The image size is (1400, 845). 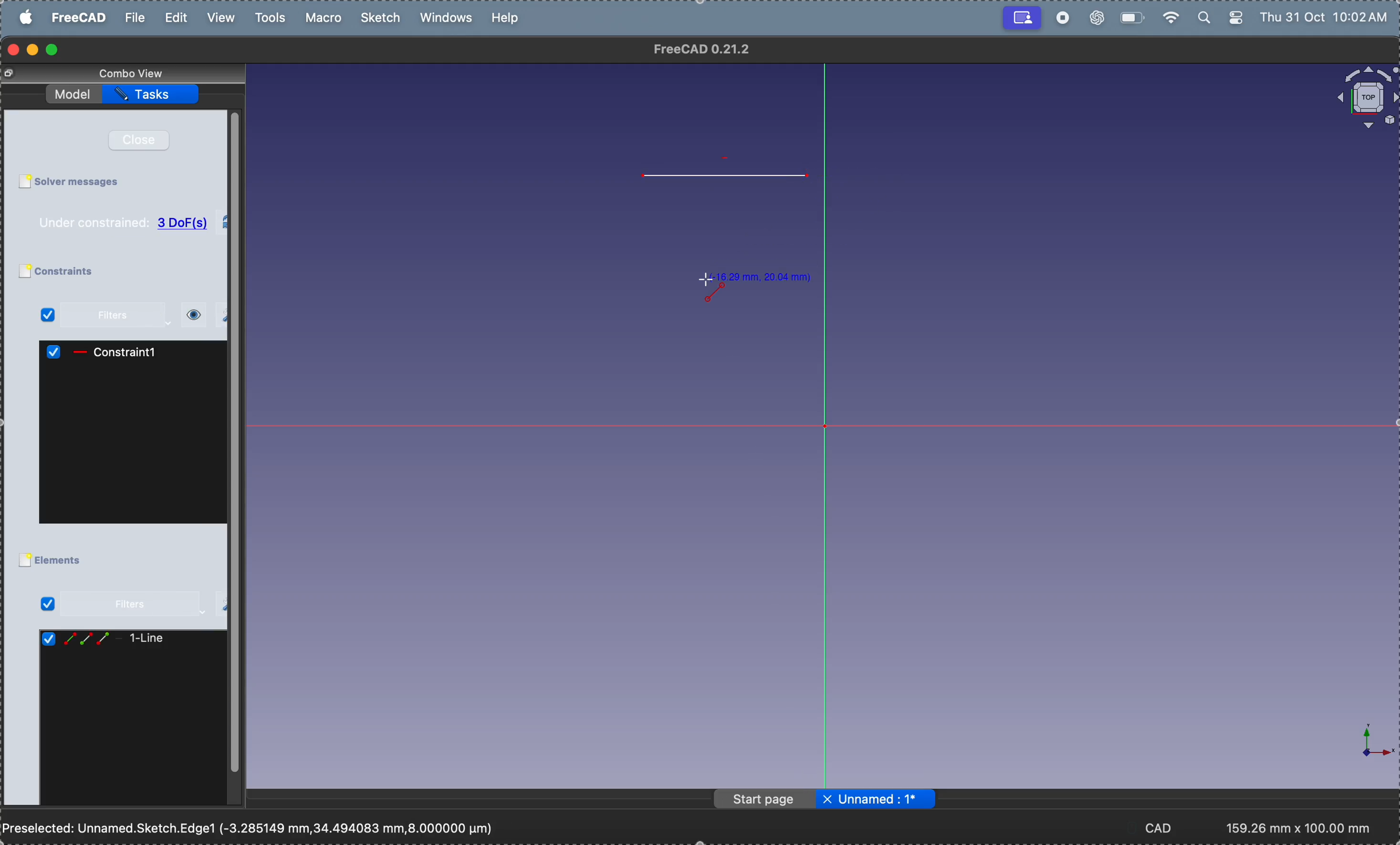 What do you see at coordinates (53, 51) in the screenshot?
I see `maximize` at bounding box center [53, 51].